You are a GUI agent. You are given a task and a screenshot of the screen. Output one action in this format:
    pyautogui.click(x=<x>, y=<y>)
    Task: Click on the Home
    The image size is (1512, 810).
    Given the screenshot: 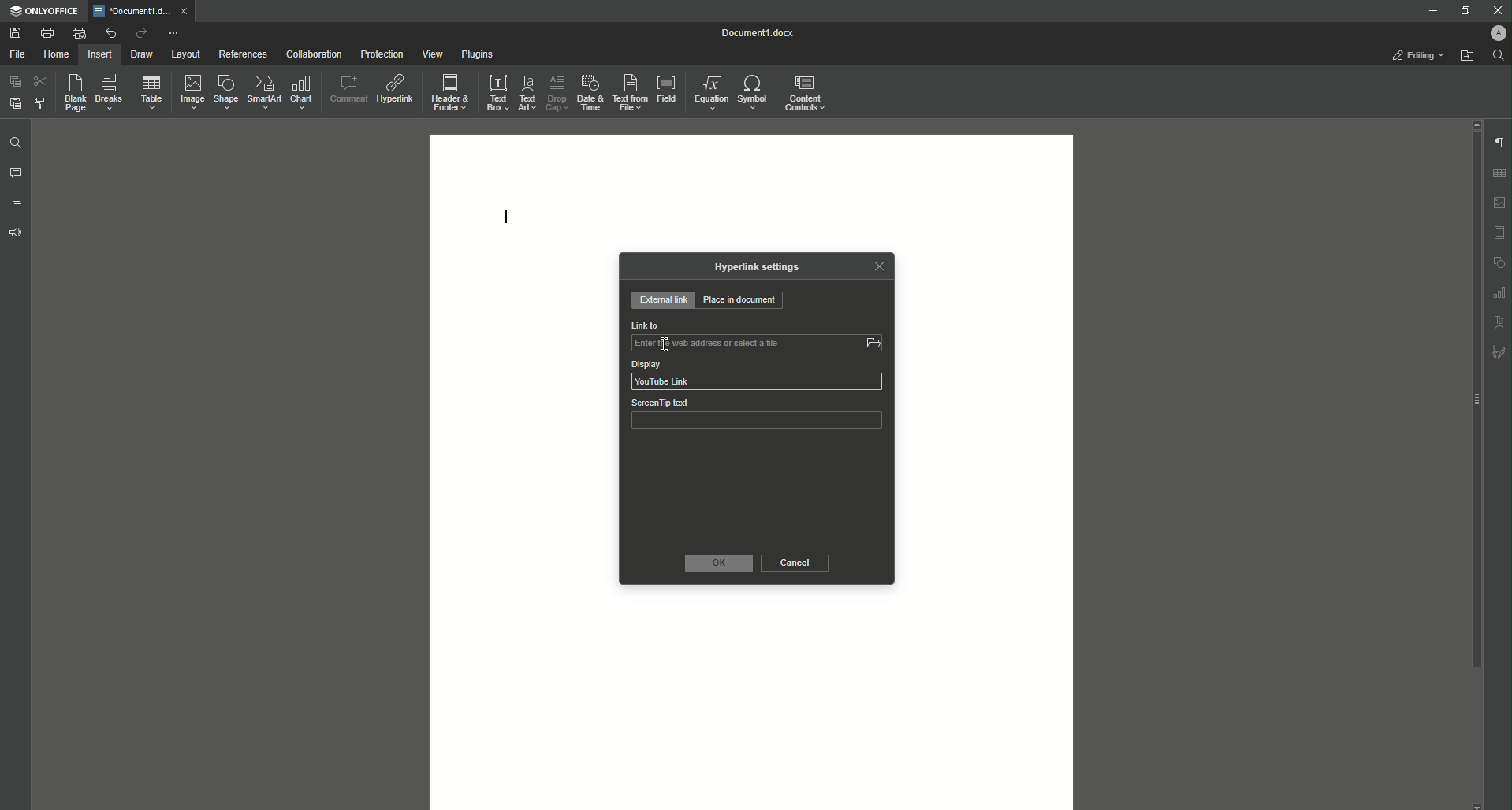 What is the action you would take?
    pyautogui.click(x=58, y=54)
    